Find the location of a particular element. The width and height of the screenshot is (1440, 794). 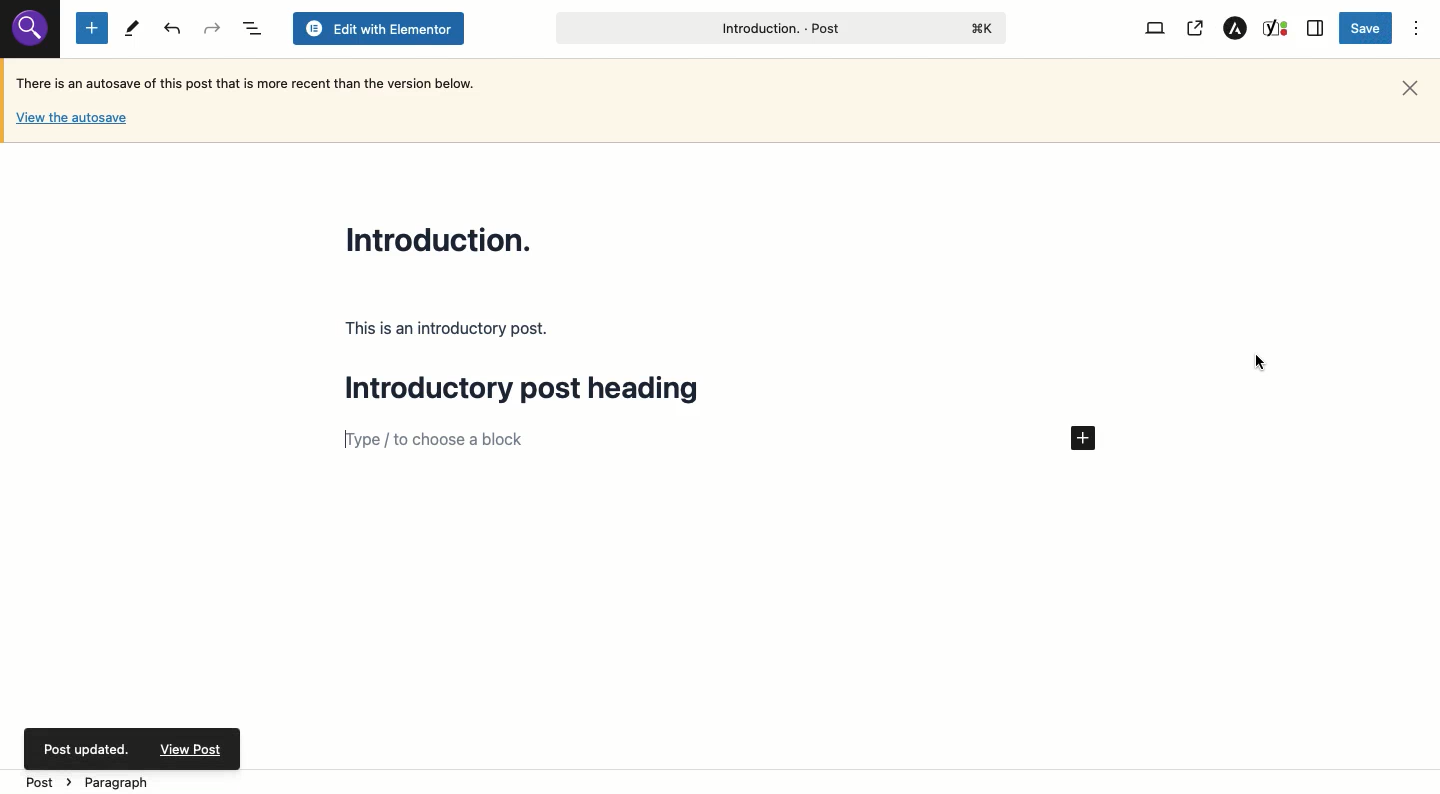

Yoast is located at coordinates (1277, 29).